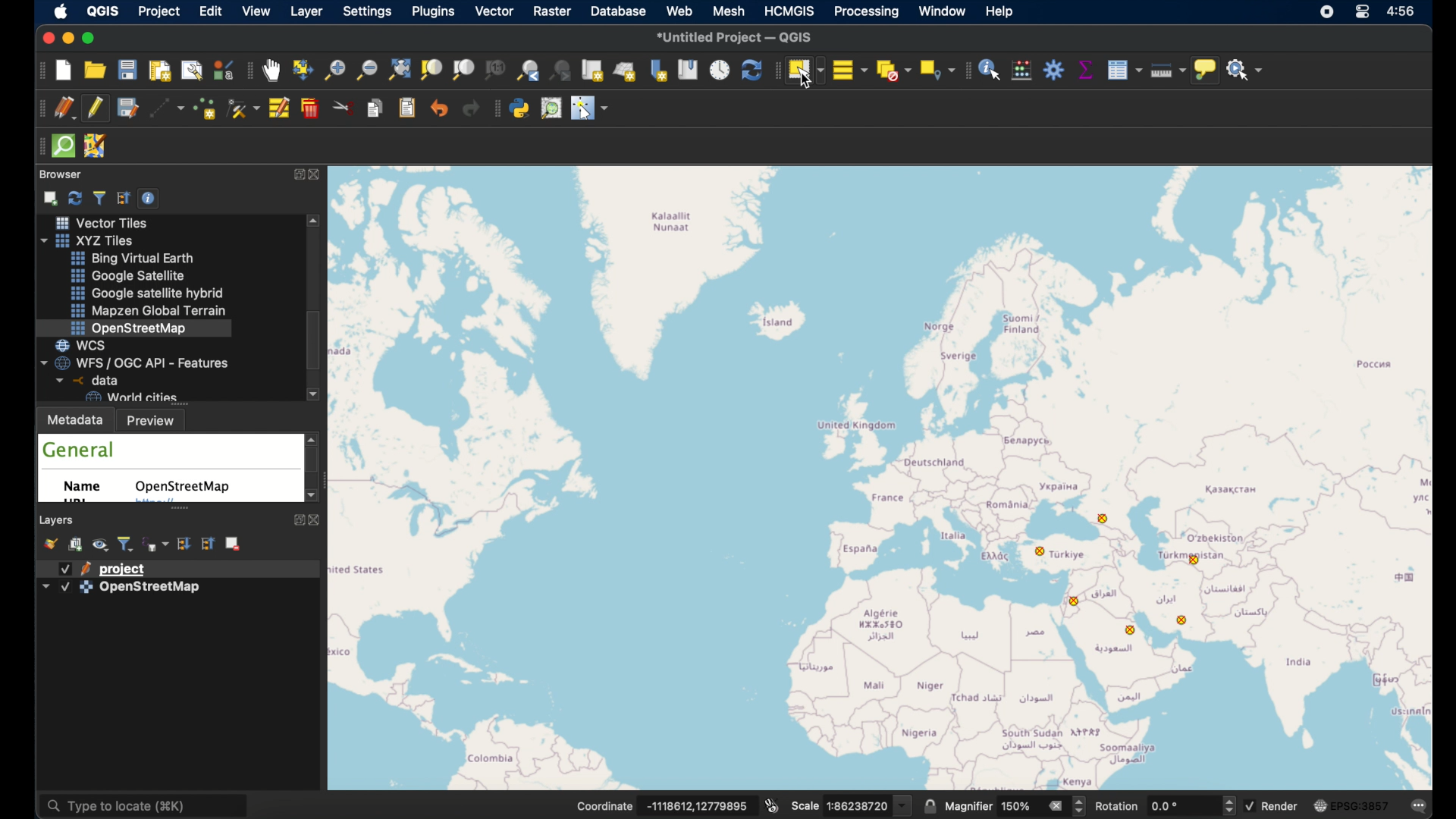 This screenshot has height=819, width=1456. Describe the element at coordinates (102, 546) in the screenshot. I see `manage map themes` at that location.